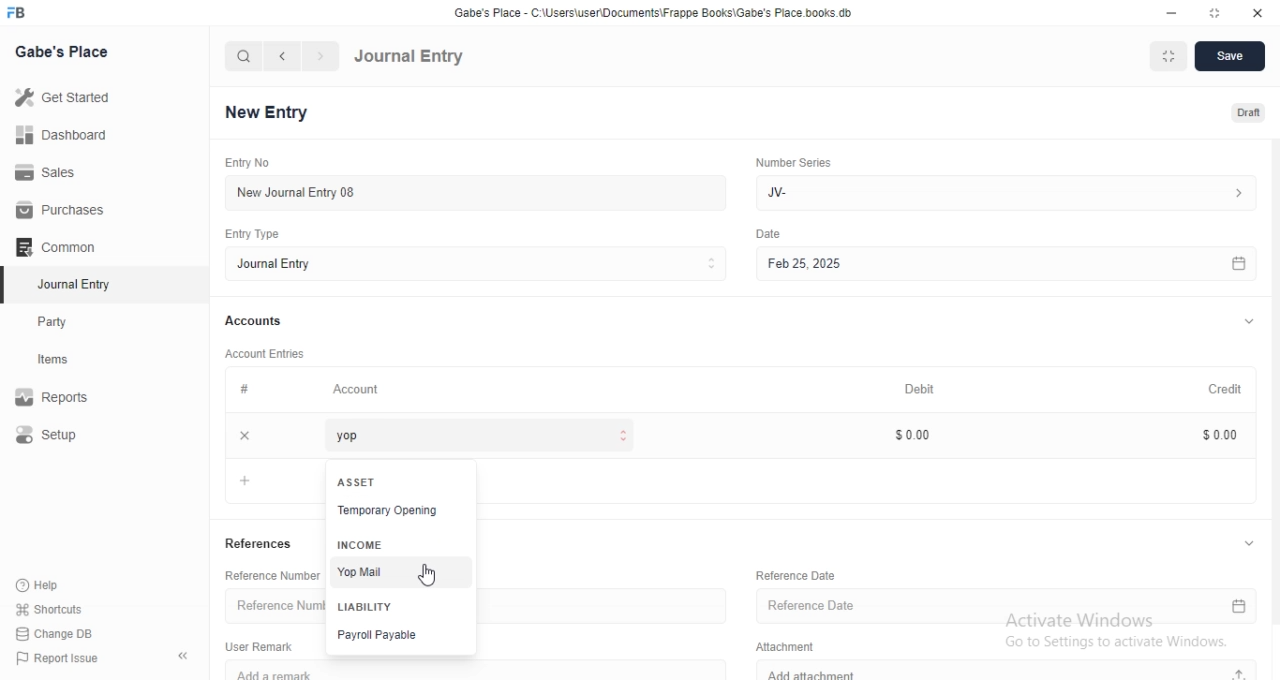  I want to click on Feb 25, 2025, so click(1003, 263).